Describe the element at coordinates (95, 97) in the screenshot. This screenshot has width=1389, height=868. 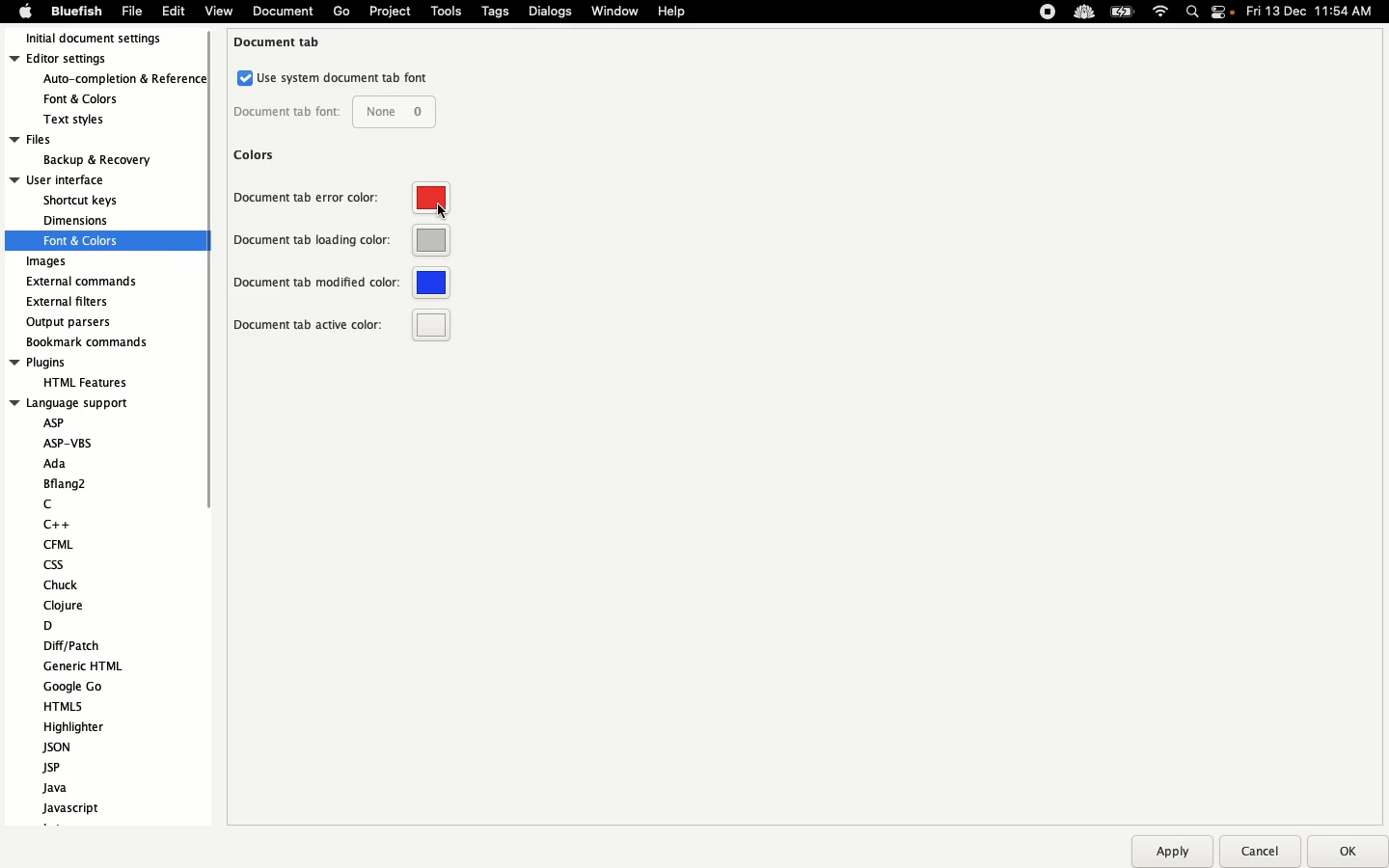
I see `fonts & colors` at that location.